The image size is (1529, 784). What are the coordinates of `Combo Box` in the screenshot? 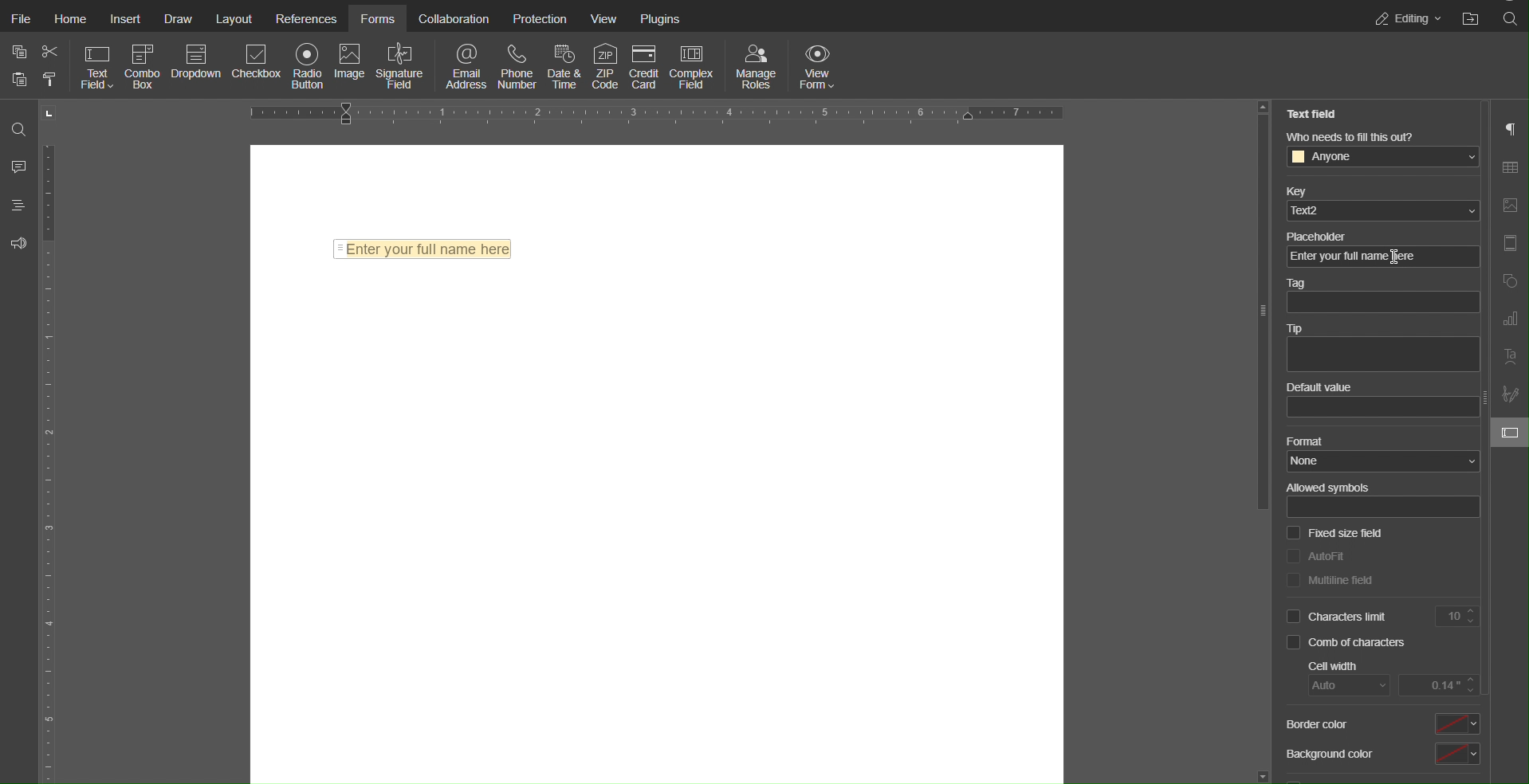 It's located at (145, 66).